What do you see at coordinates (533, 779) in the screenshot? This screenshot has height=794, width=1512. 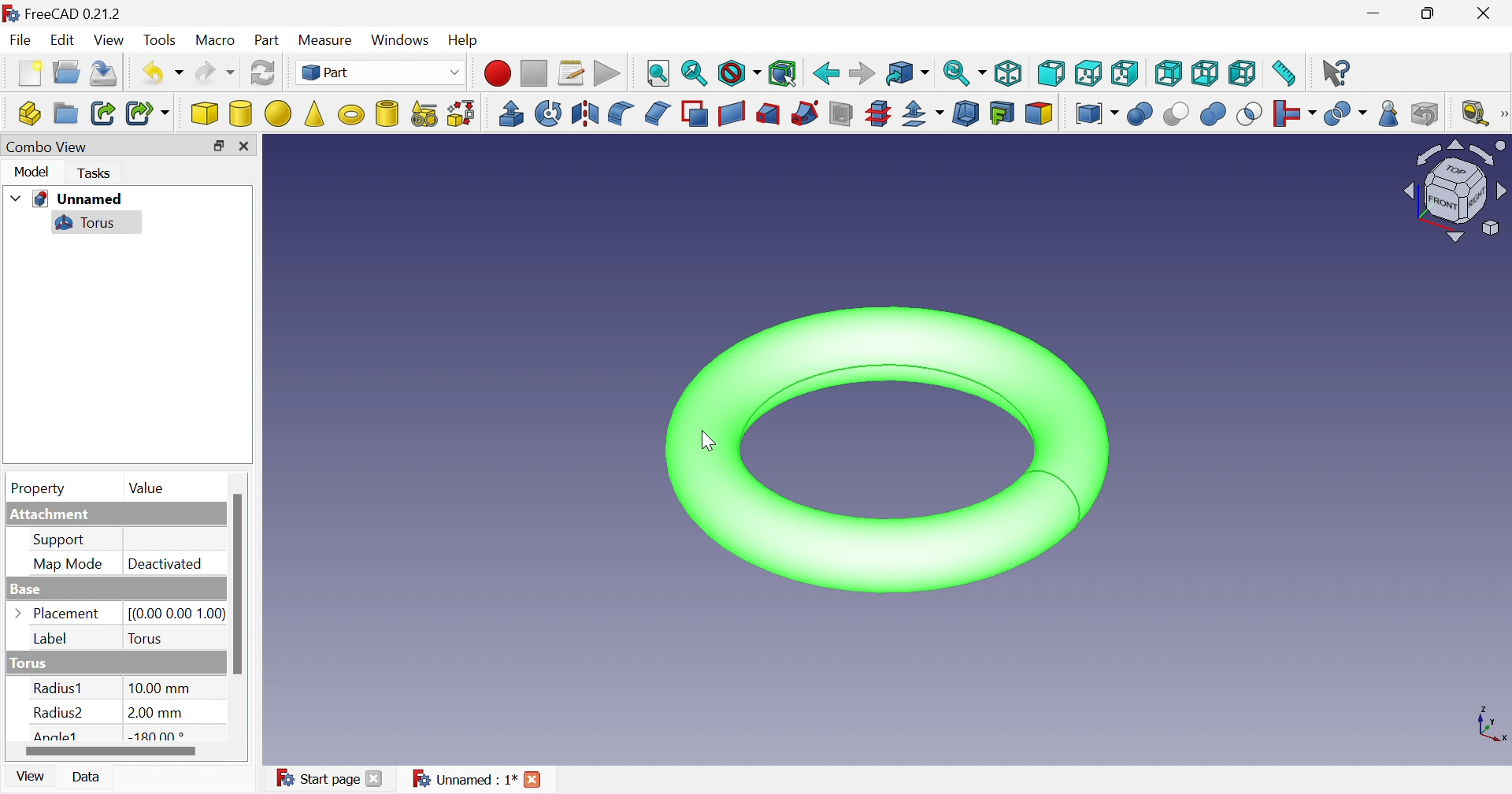 I see `Close` at bounding box center [533, 779].